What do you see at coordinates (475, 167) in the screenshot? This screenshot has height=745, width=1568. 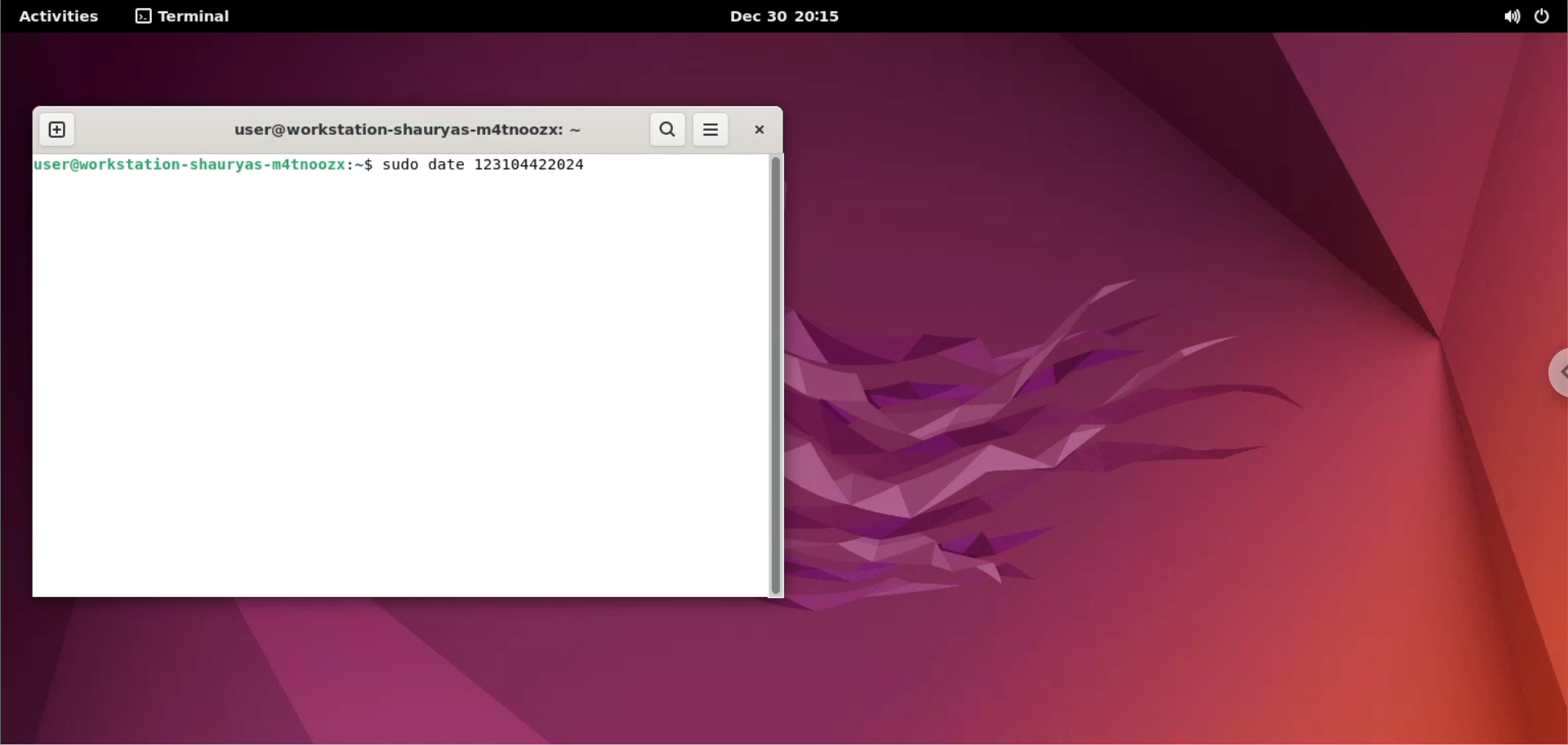 I see `~$ sudo date 123104422024` at bounding box center [475, 167].